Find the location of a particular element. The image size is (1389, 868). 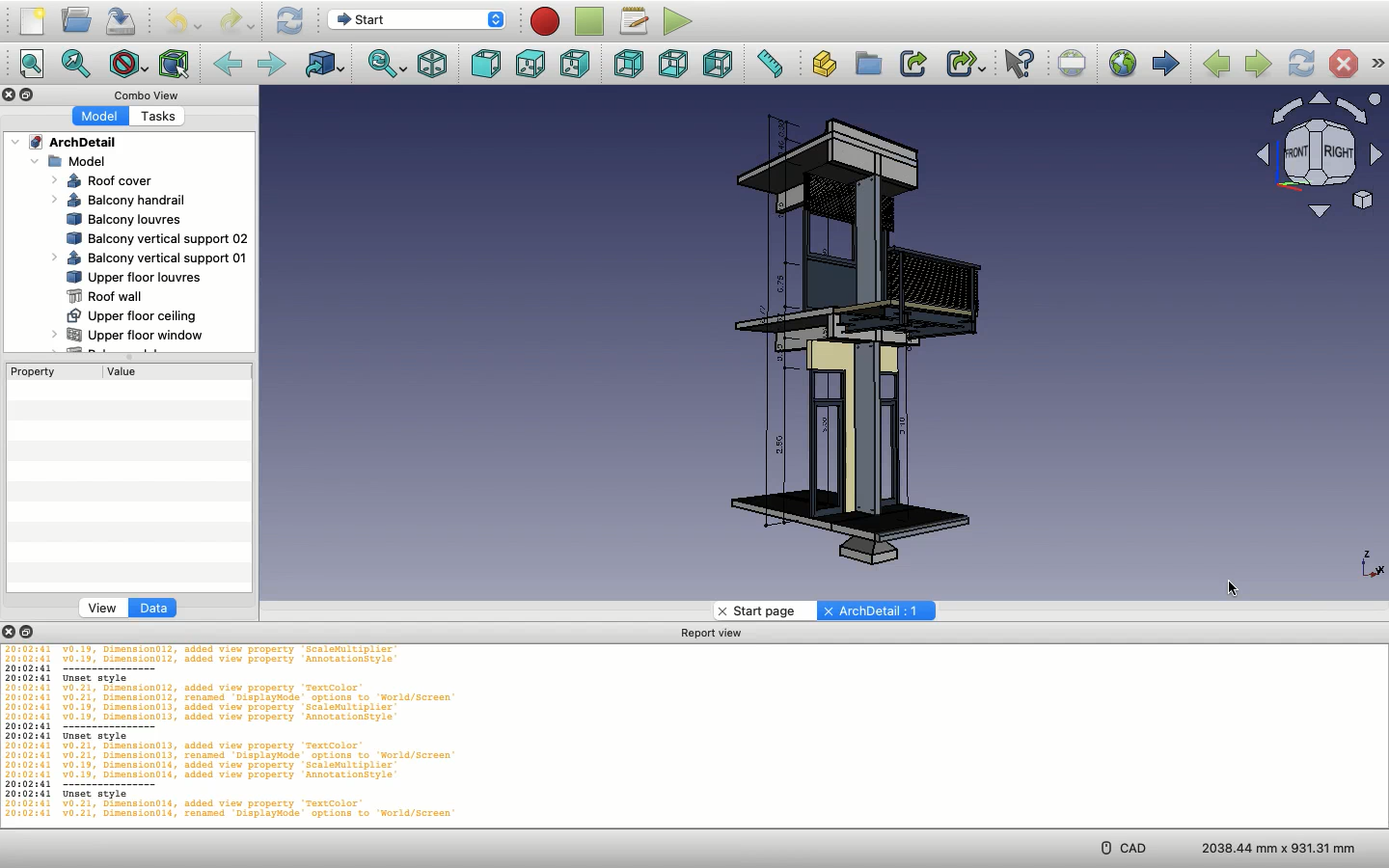

Property is located at coordinates (31, 371).